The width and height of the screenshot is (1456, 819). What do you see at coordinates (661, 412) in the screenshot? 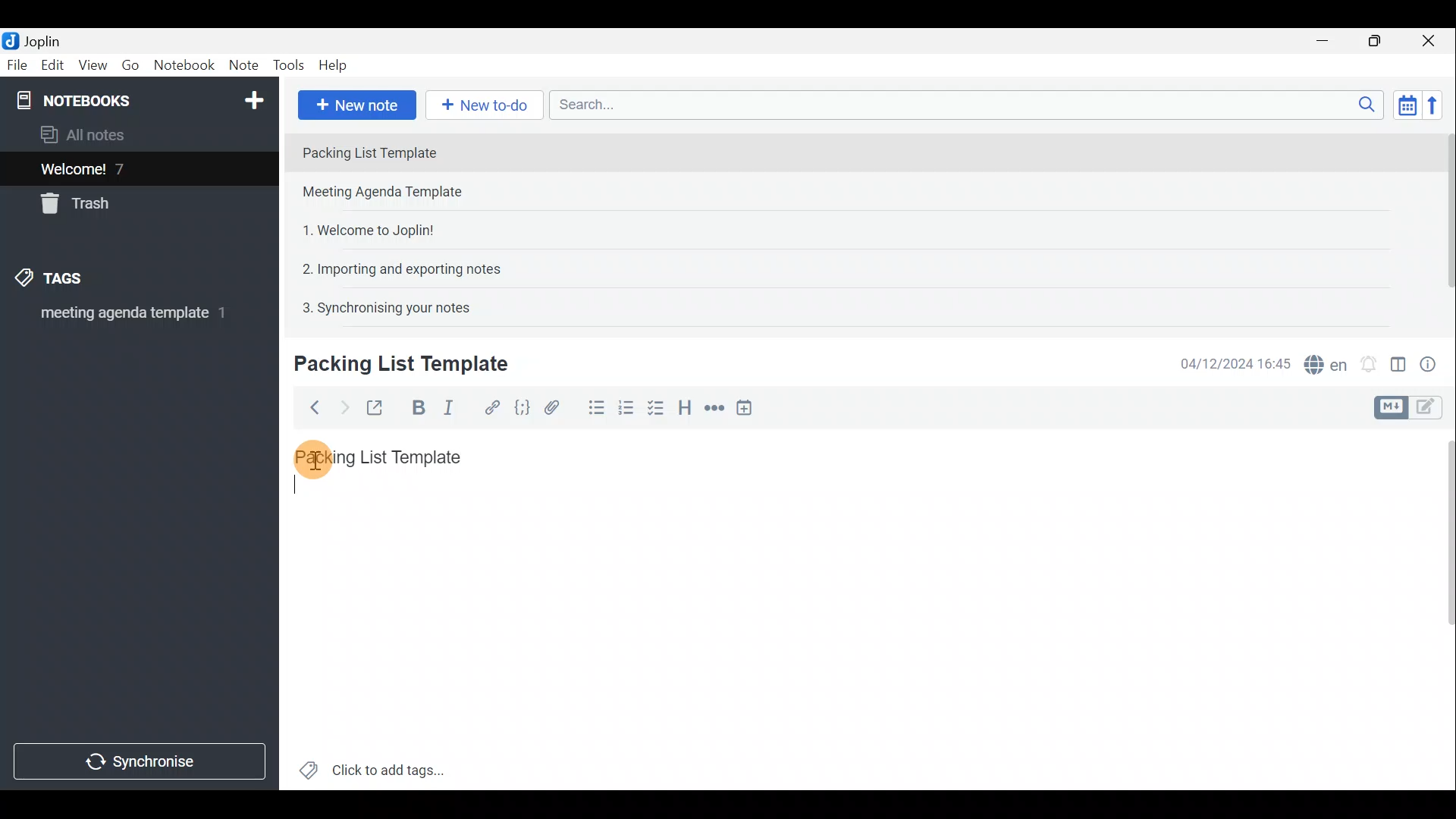
I see `Checkbox` at bounding box center [661, 412].